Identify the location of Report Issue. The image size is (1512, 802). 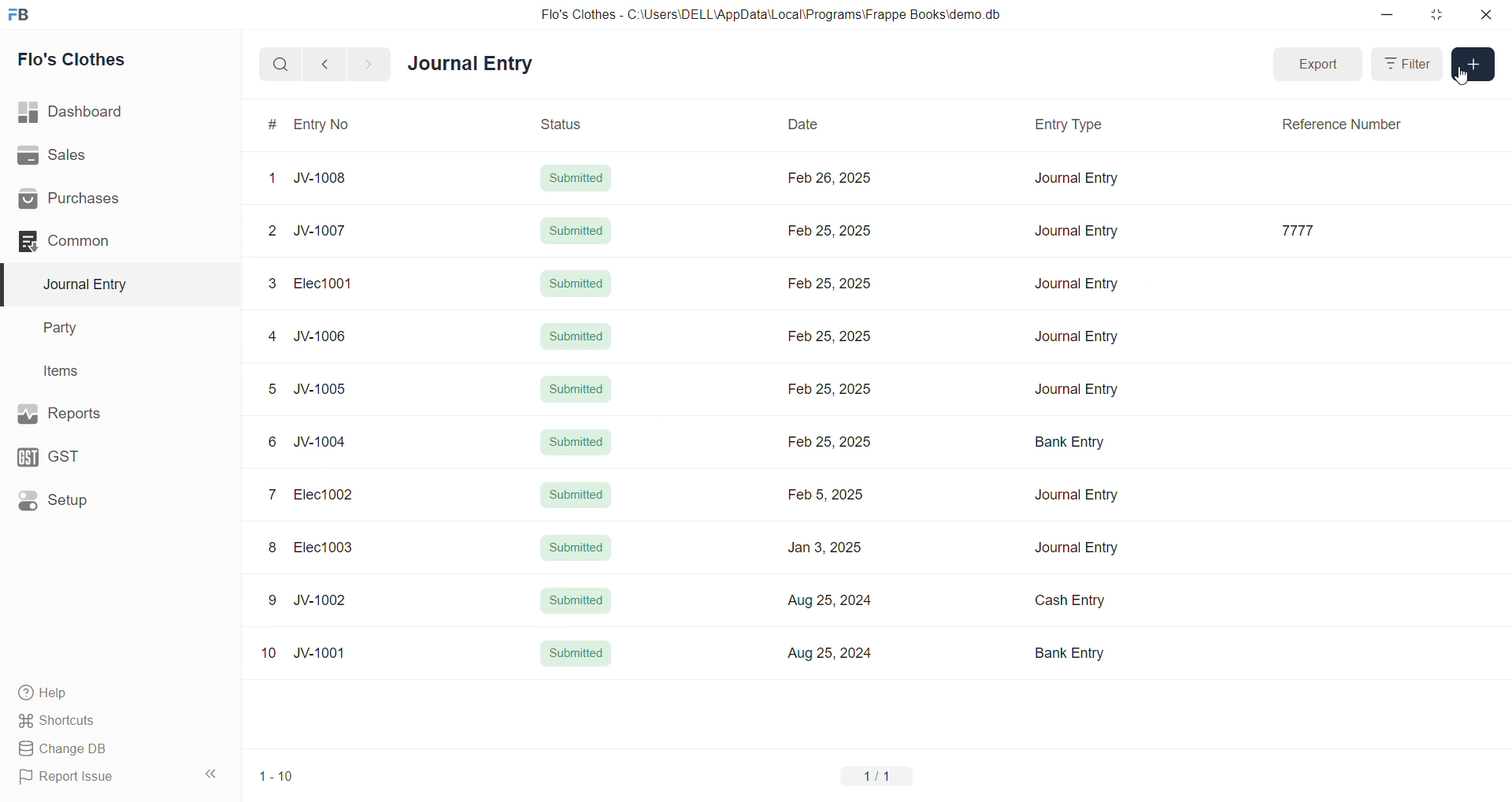
(94, 780).